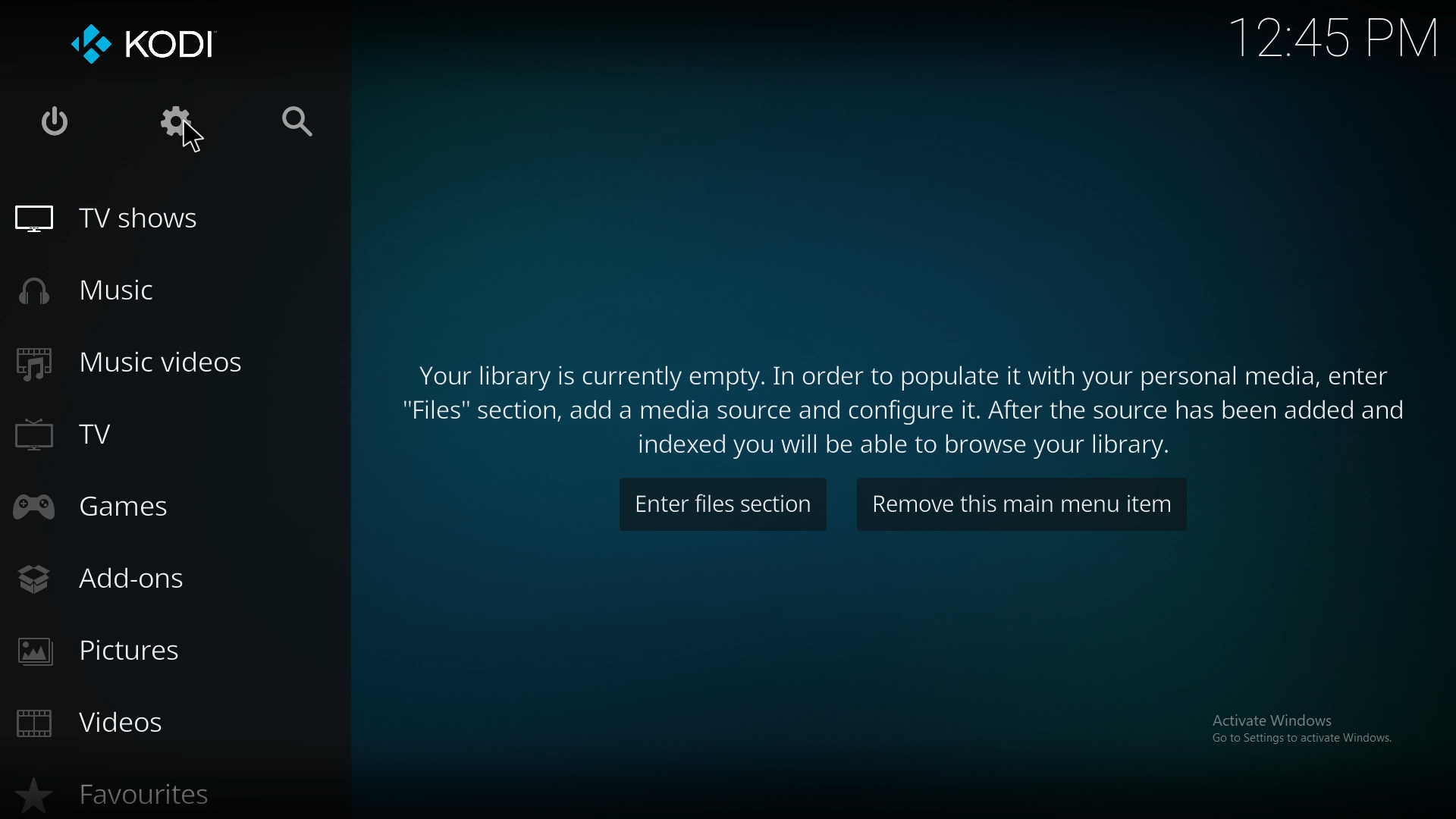 The width and height of the screenshot is (1456, 819). Describe the element at coordinates (303, 122) in the screenshot. I see `search` at that location.